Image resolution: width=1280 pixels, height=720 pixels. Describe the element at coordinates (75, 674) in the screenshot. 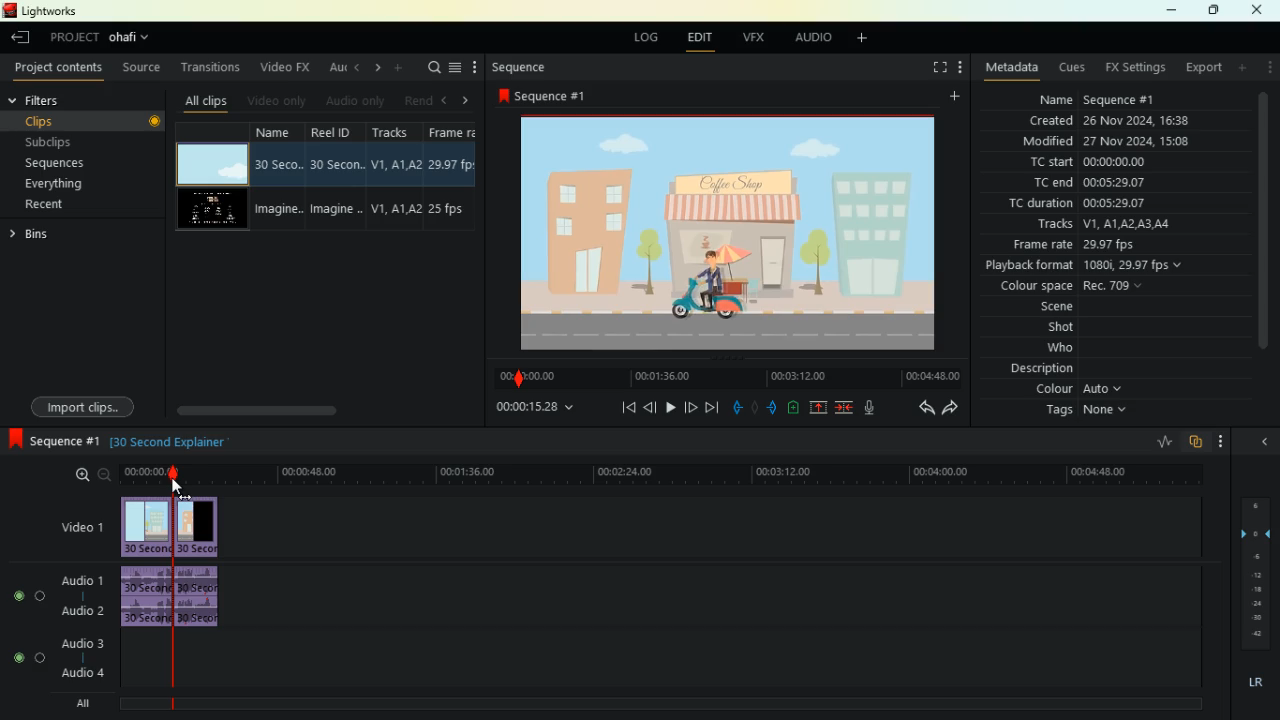

I see `audio 4` at that location.